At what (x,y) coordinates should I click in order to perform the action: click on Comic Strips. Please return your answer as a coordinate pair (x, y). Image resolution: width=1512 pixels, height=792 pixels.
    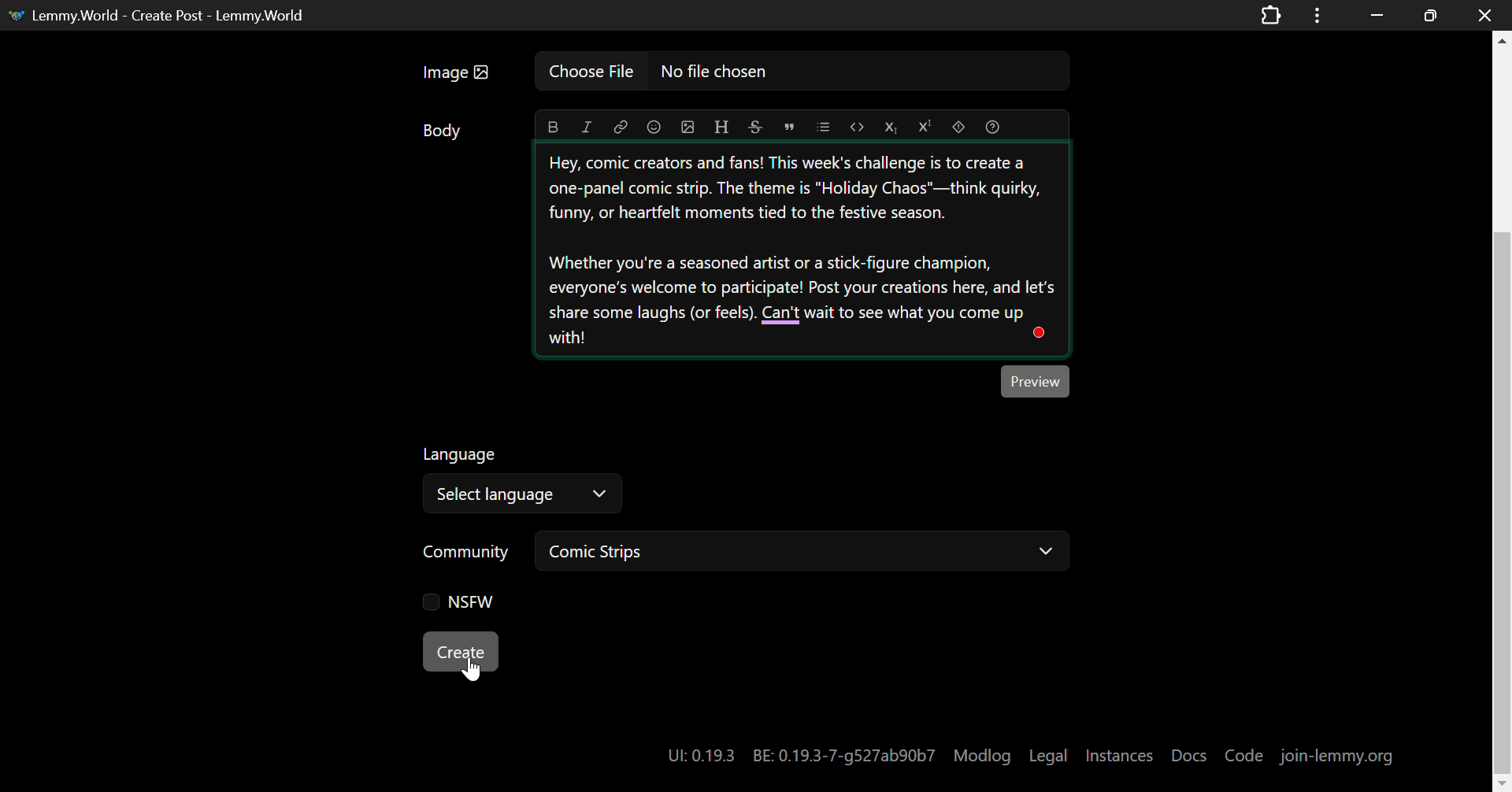
    Looking at the image, I should click on (806, 551).